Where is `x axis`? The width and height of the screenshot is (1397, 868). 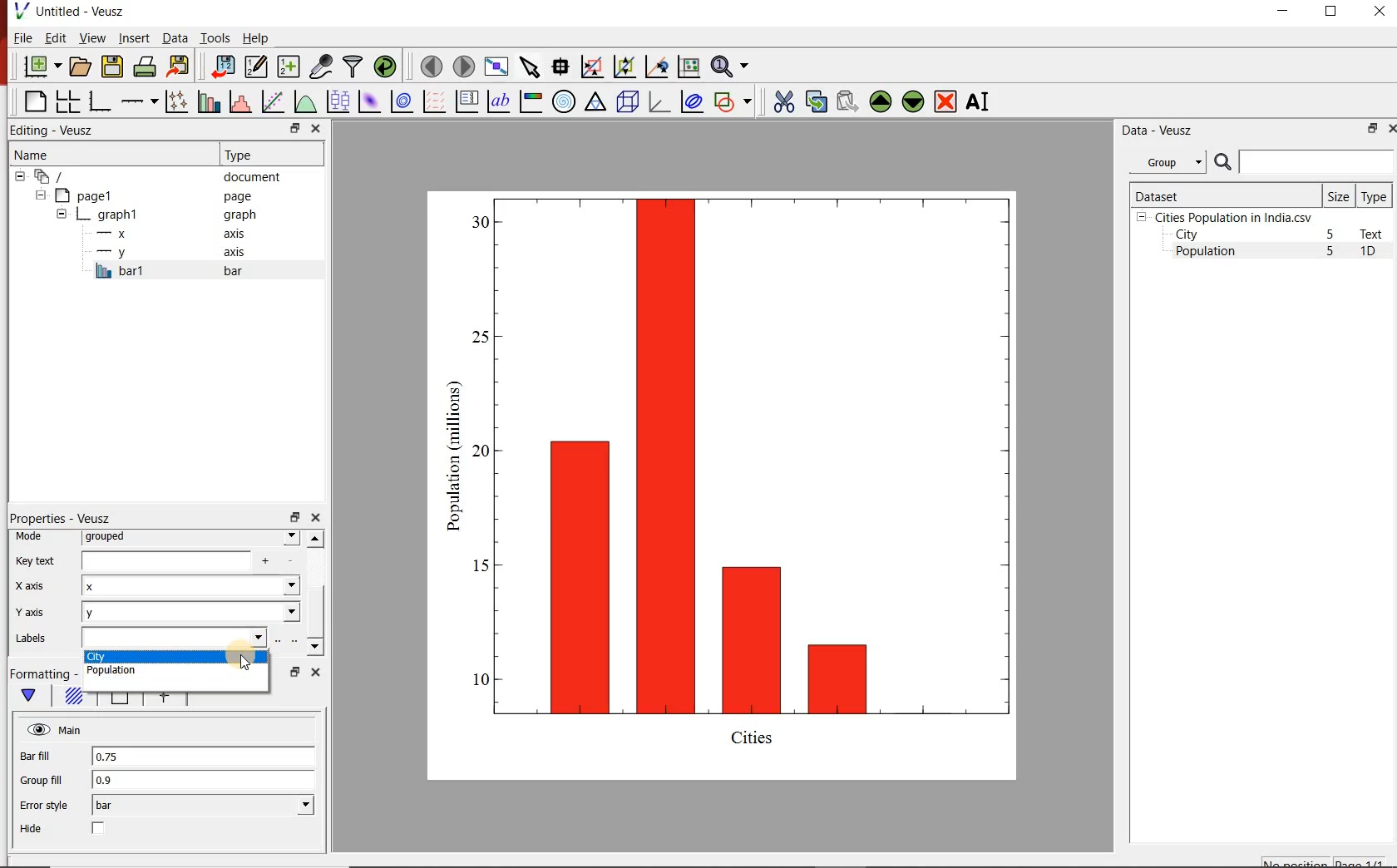
x axis is located at coordinates (35, 587).